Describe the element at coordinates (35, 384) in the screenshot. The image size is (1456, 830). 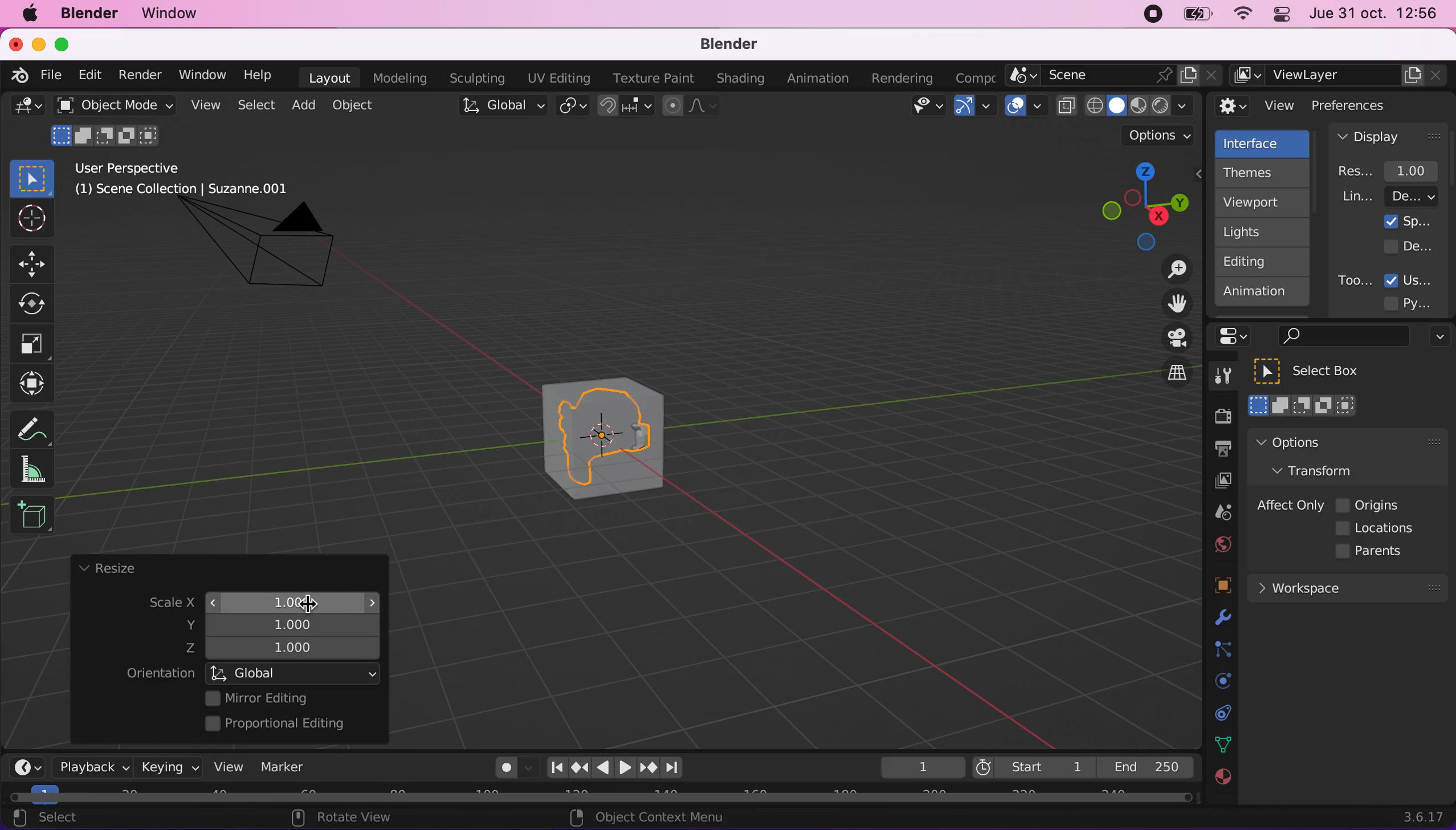
I see `transform` at that location.